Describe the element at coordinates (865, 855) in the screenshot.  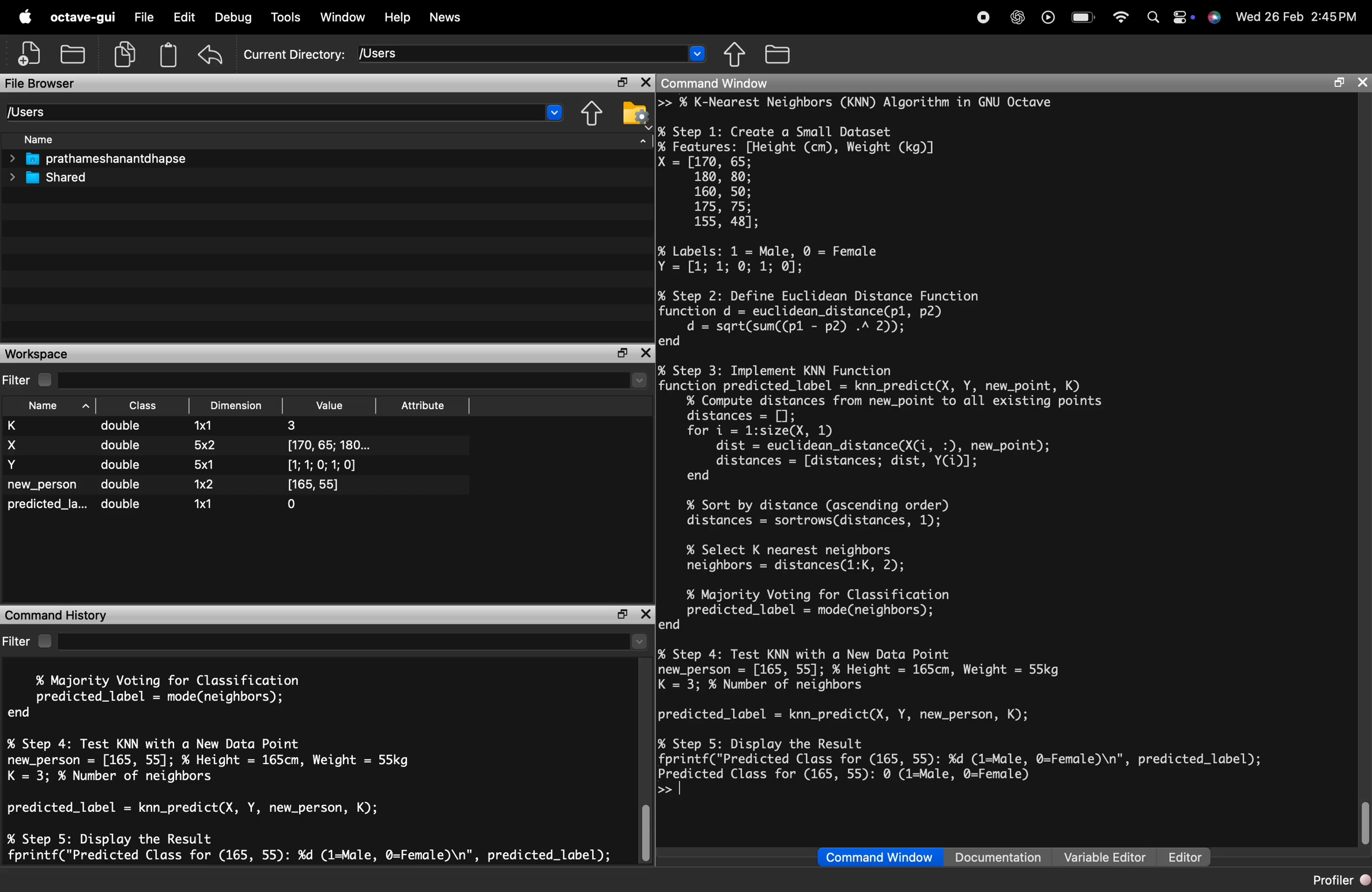
I see `Command Window` at that location.